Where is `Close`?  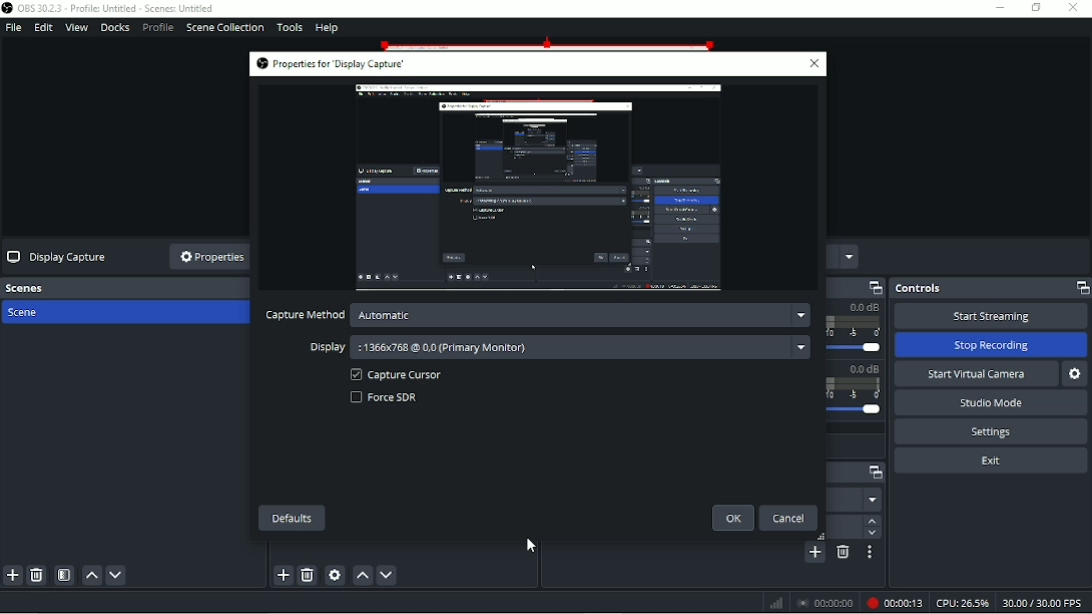
Close is located at coordinates (815, 64).